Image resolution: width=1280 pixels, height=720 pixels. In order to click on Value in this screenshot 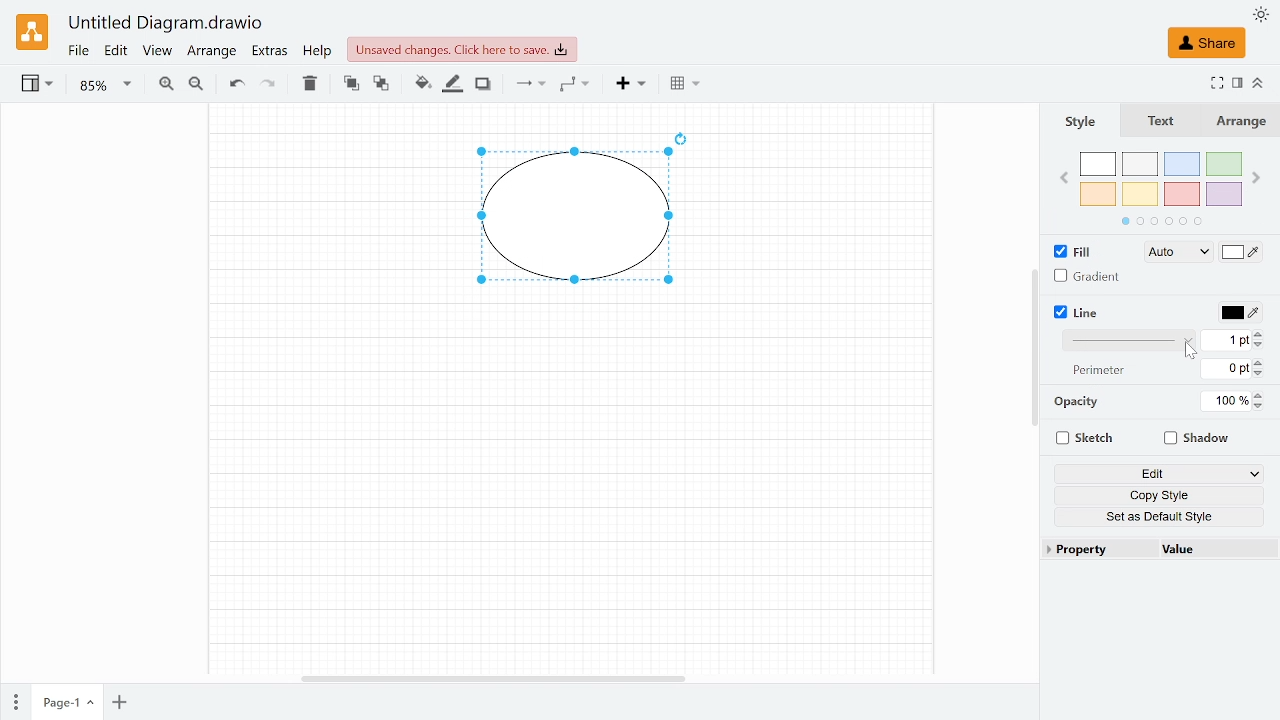, I will do `click(1207, 550)`.